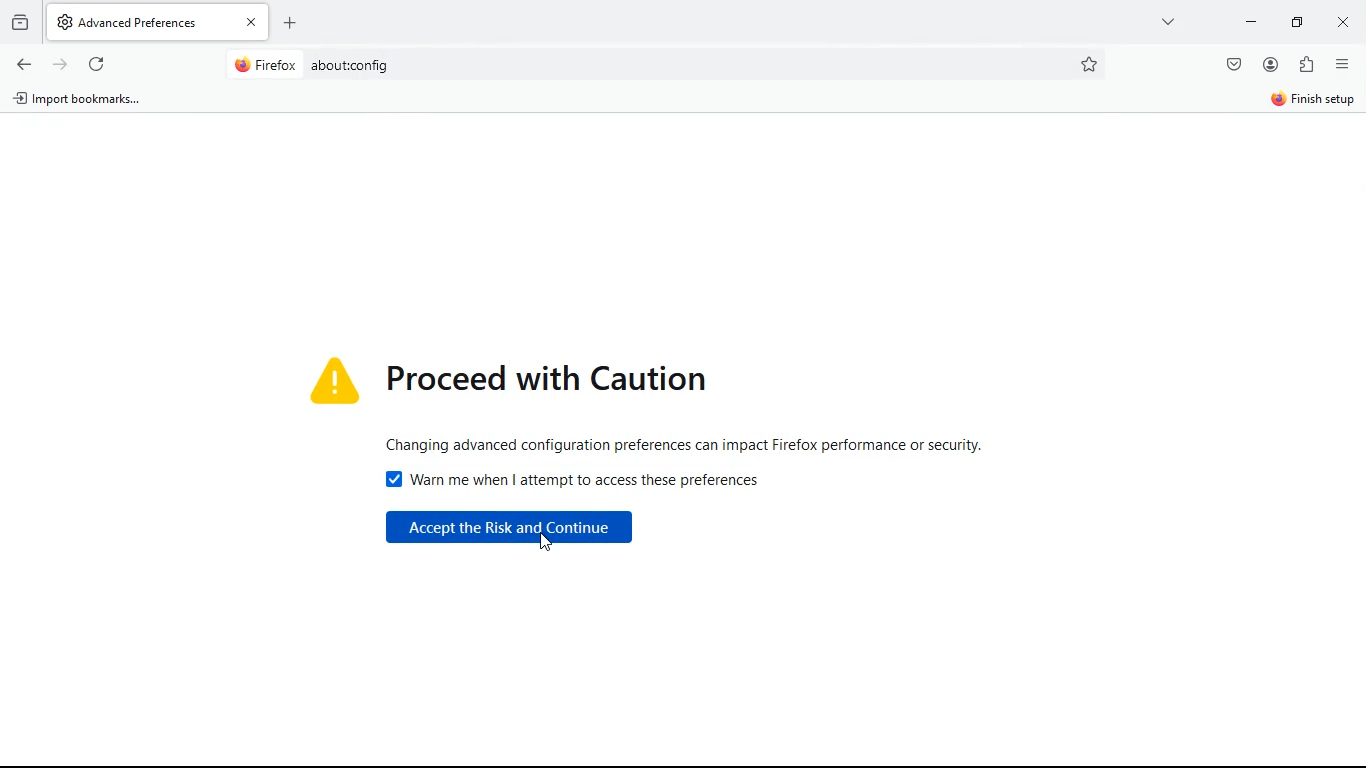 This screenshot has width=1366, height=768. Describe the element at coordinates (585, 479) in the screenshot. I see `warn` at that location.